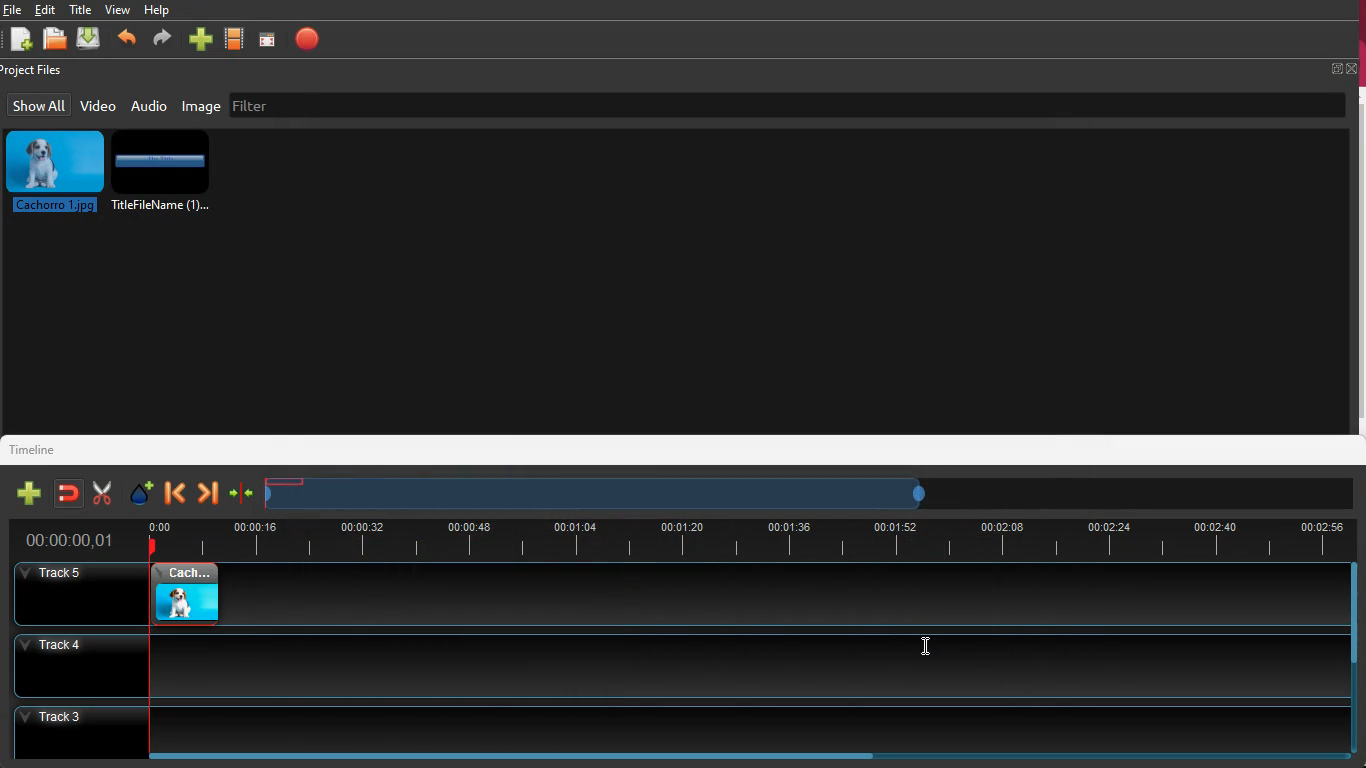 This screenshot has height=768, width=1366. I want to click on video, so click(98, 105).